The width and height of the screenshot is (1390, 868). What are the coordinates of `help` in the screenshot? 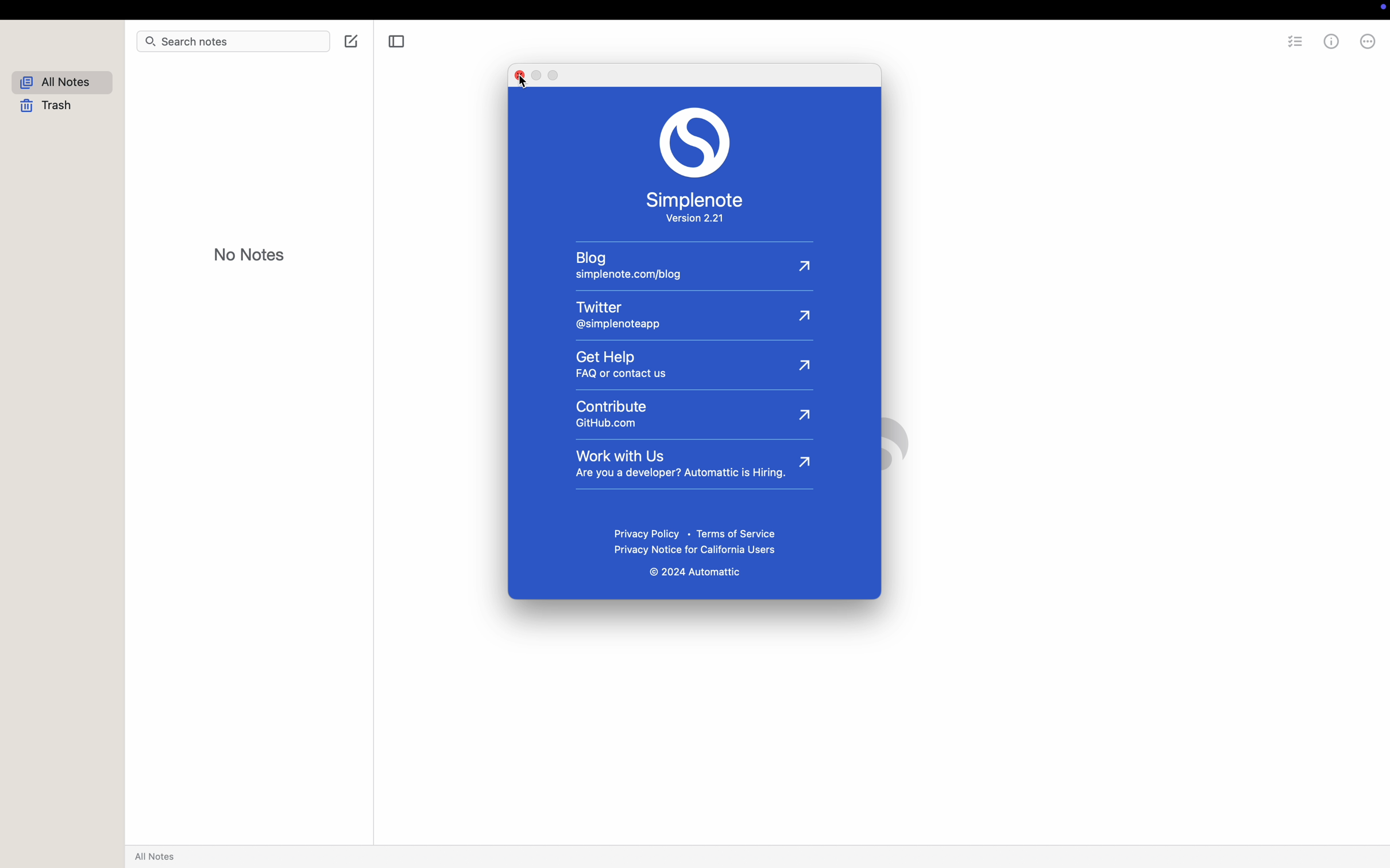 It's located at (366, 10).